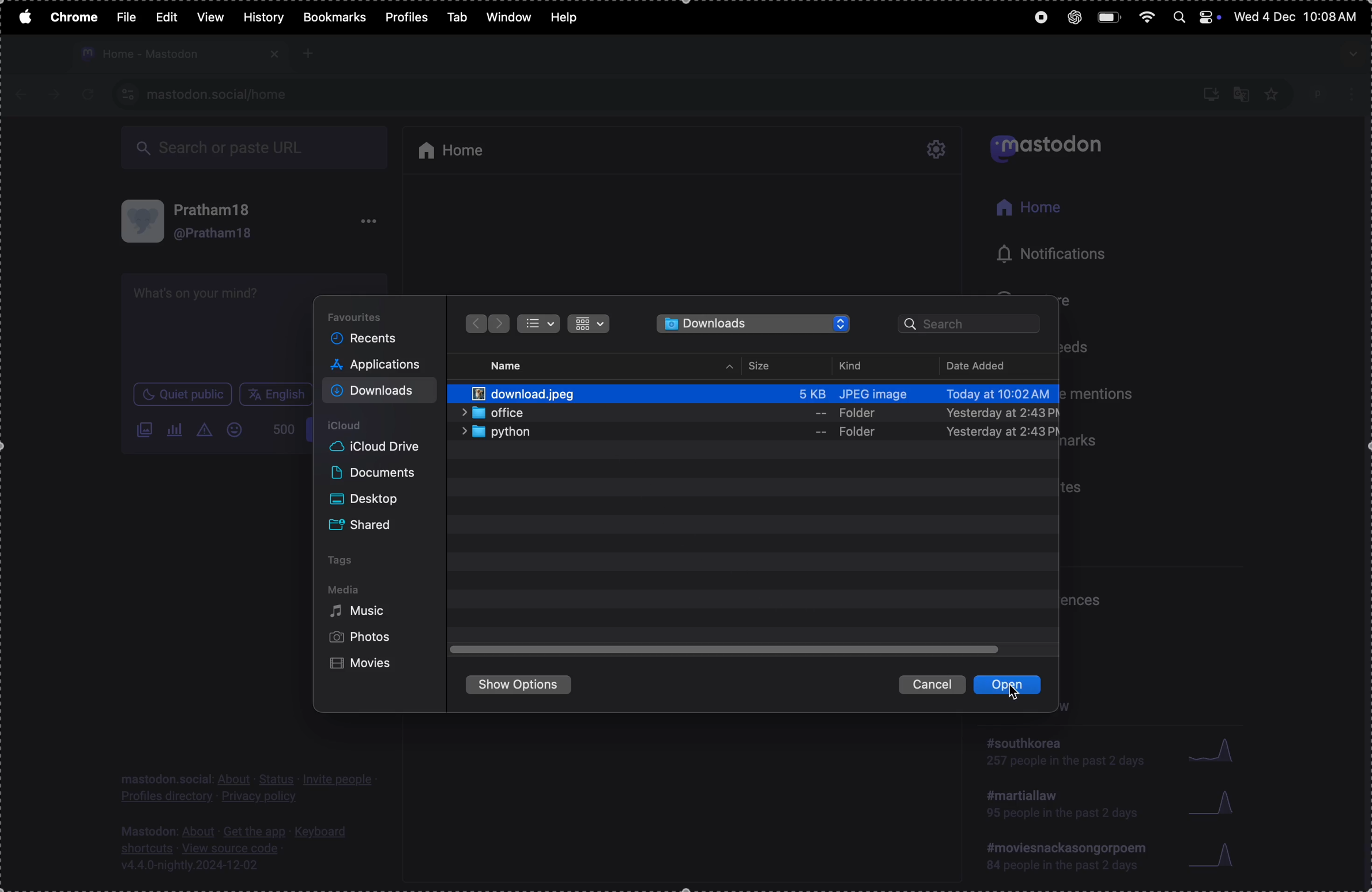 This screenshot has height=892, width=1372. What do you see at coordinates (84, 95) in the screenshot?
I see `refresh` at bounding box center [84, 95].